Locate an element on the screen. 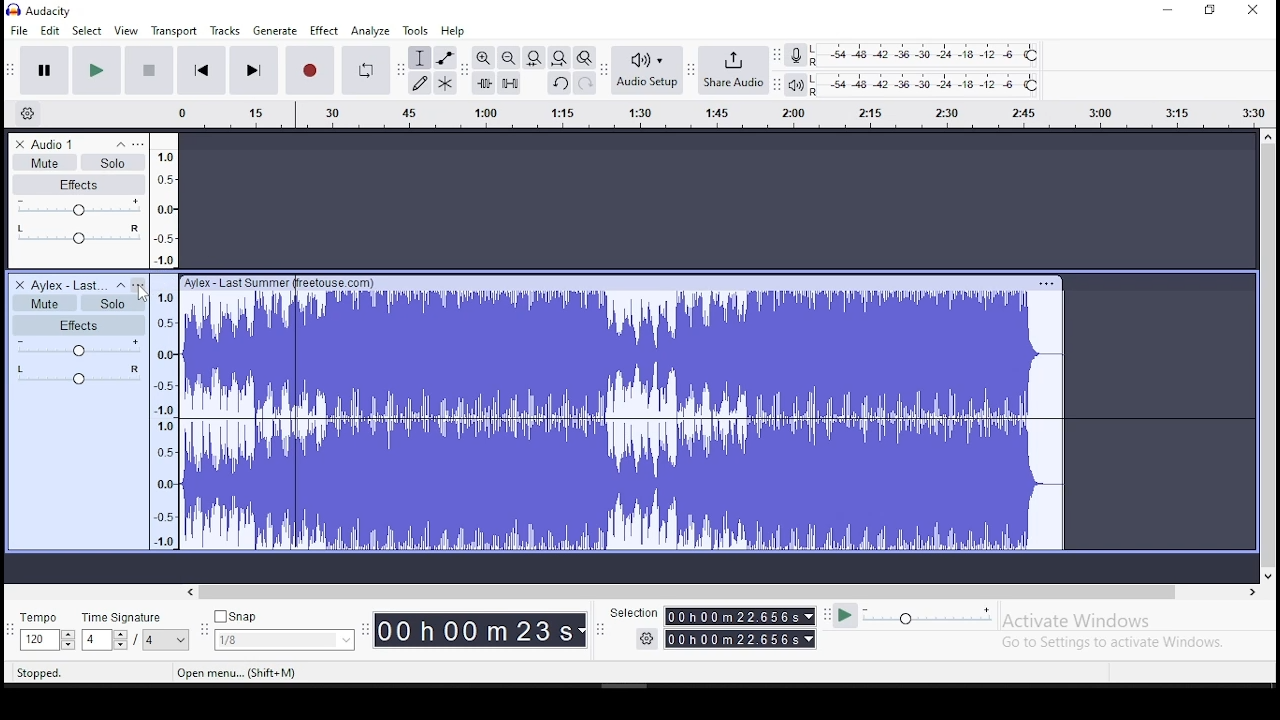 The image size is (1280, 720). tempo is located at coordinates (41, 617).